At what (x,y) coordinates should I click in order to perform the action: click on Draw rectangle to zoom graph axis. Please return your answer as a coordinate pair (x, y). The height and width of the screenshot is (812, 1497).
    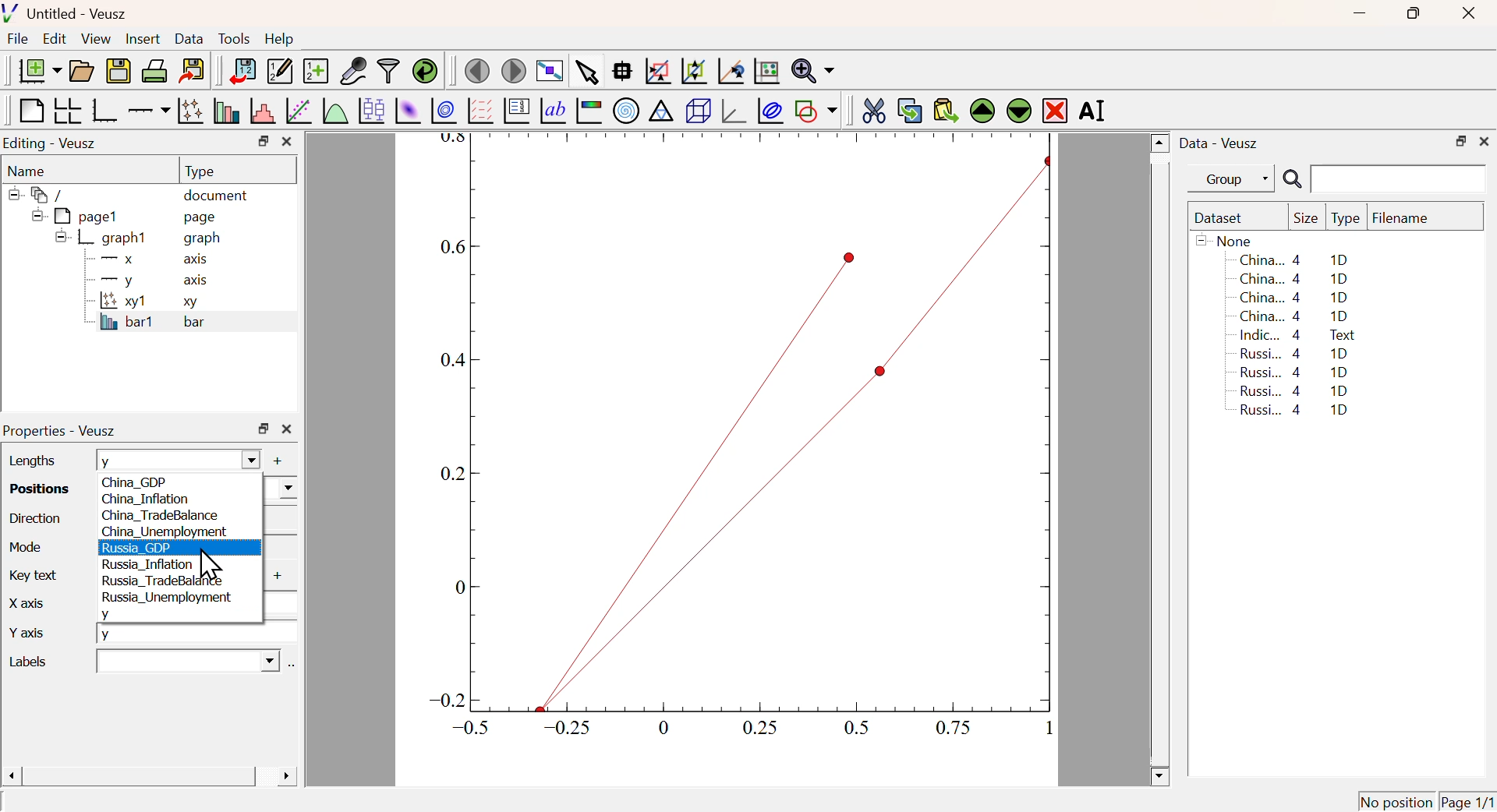
    Looking at the image, I should click on (656, 71).